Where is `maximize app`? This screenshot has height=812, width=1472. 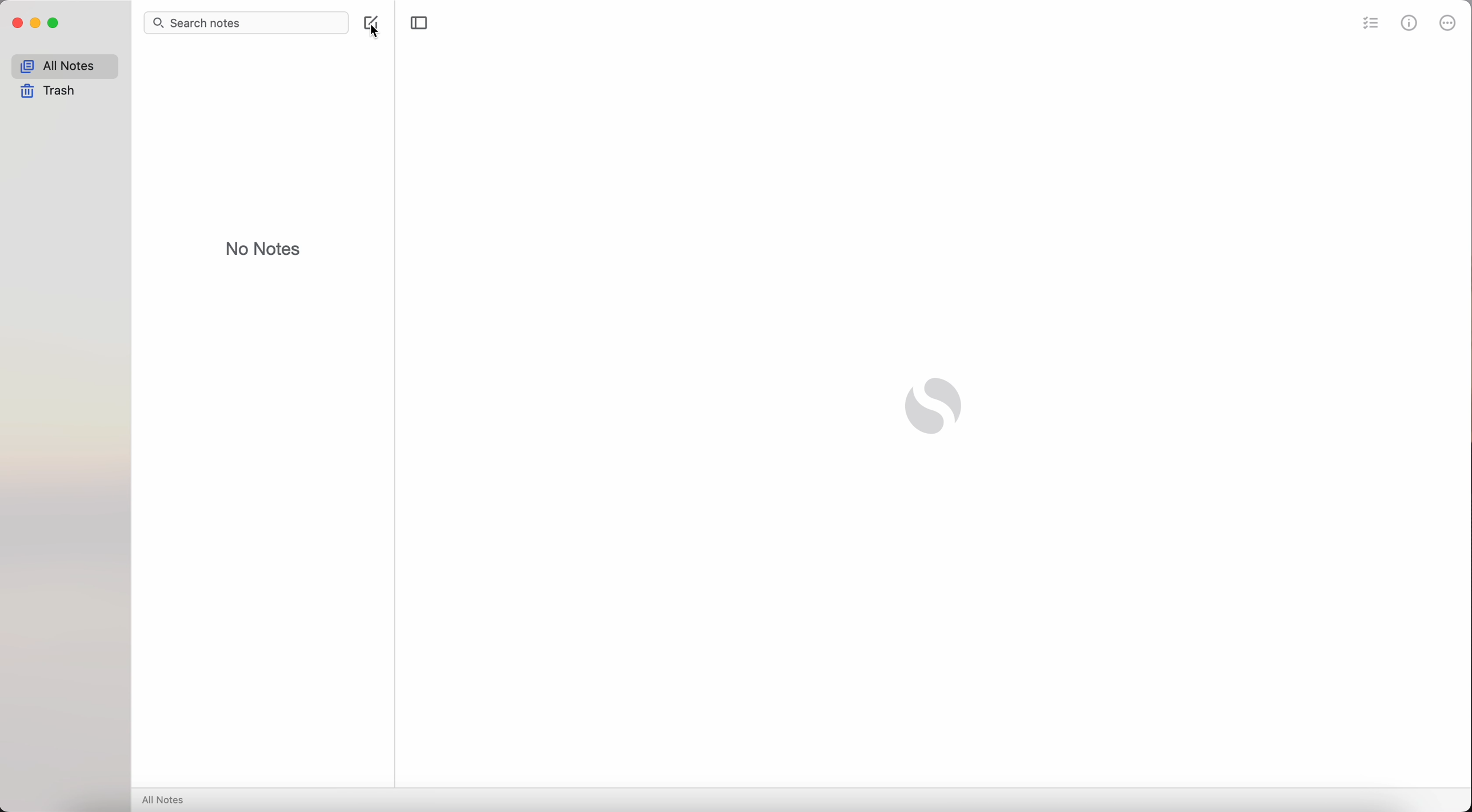 maximize app is located at coordinates (54, 23).